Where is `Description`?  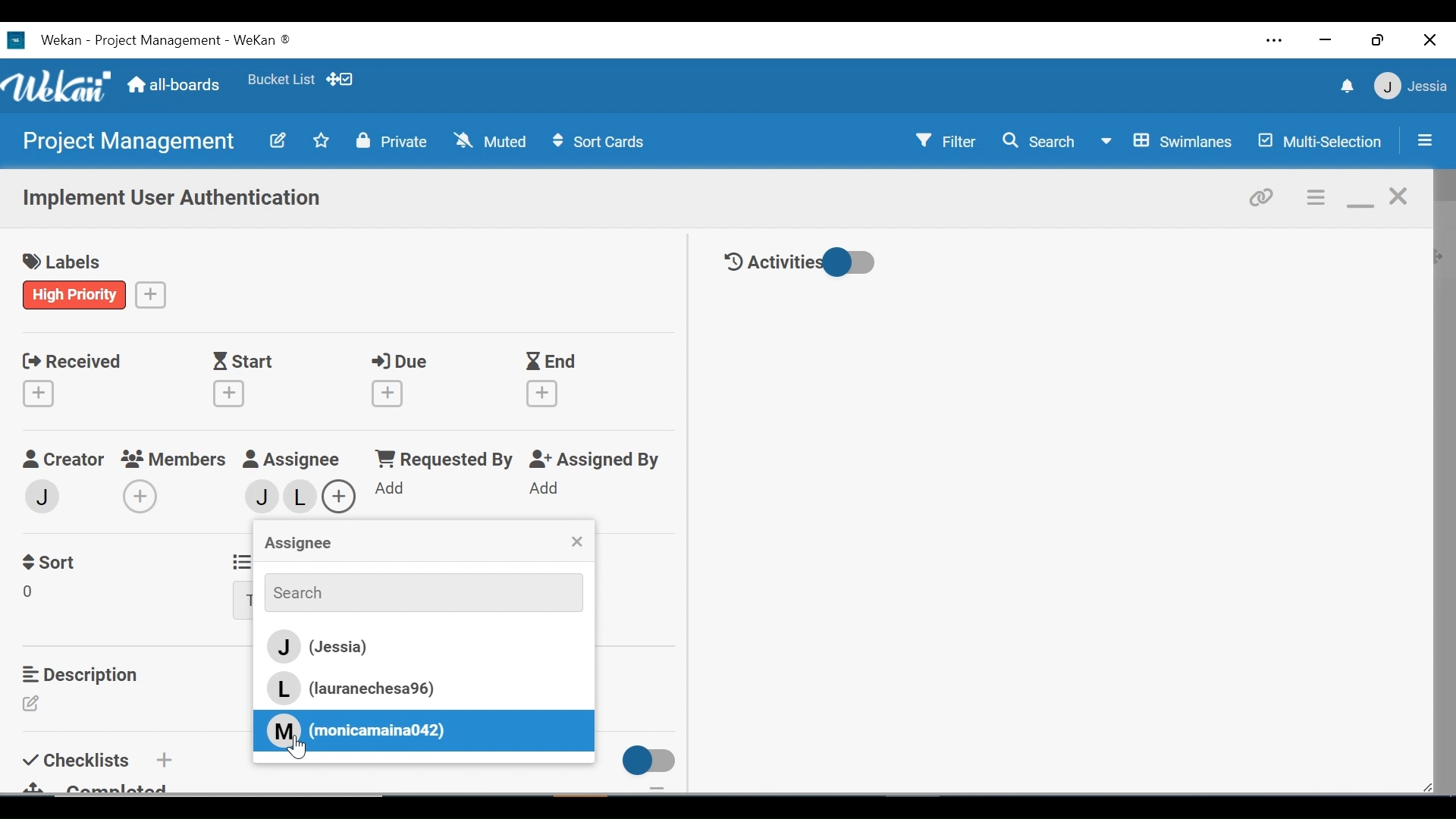 Description is located at coordinates (84, 674).